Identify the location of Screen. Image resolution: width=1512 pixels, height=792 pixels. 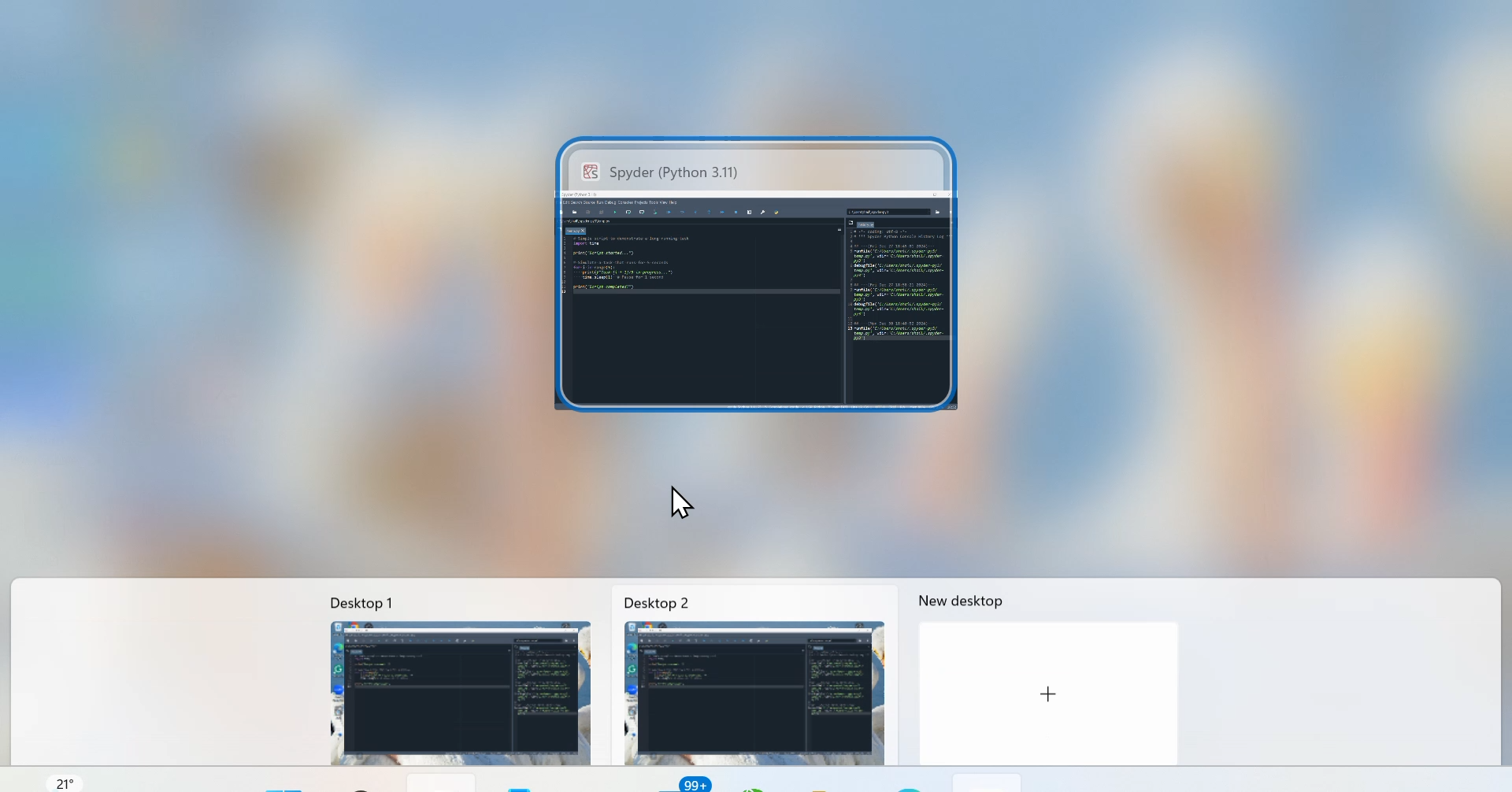
(771, 275).